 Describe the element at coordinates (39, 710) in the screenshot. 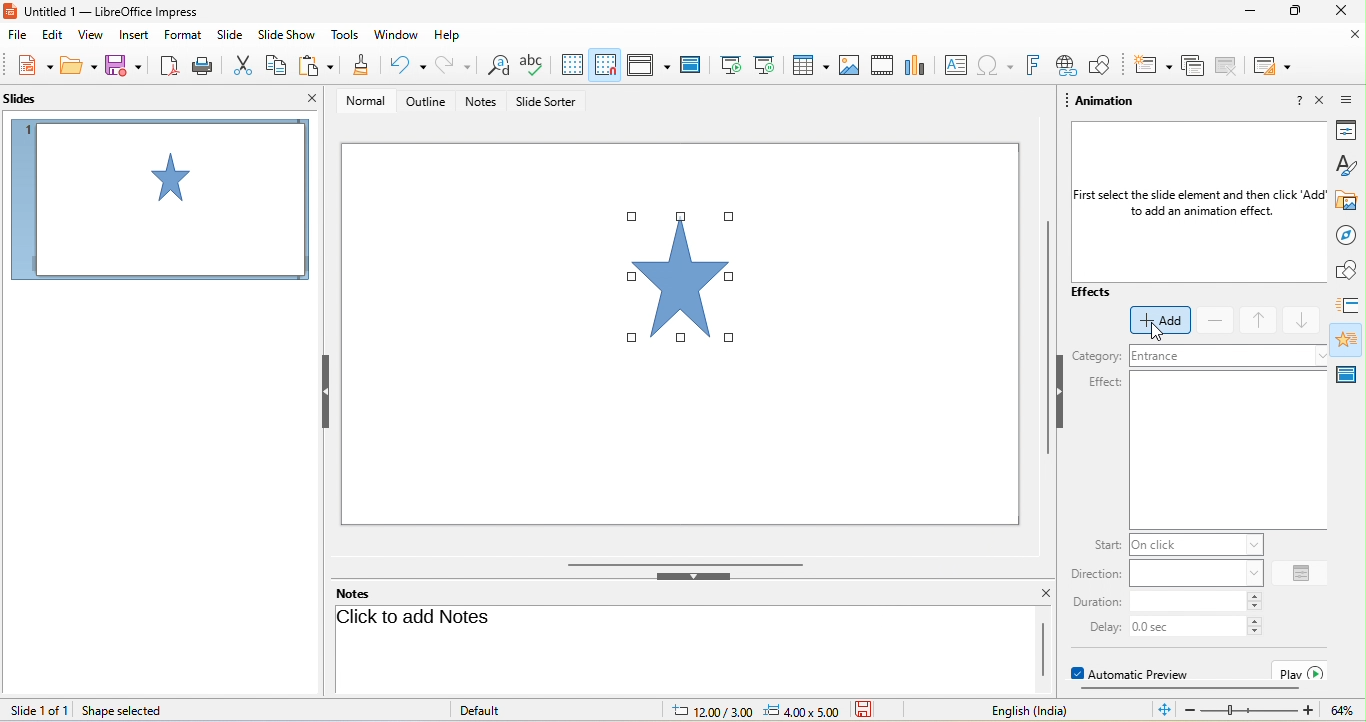

I see `slide 1 of 1` at that location.